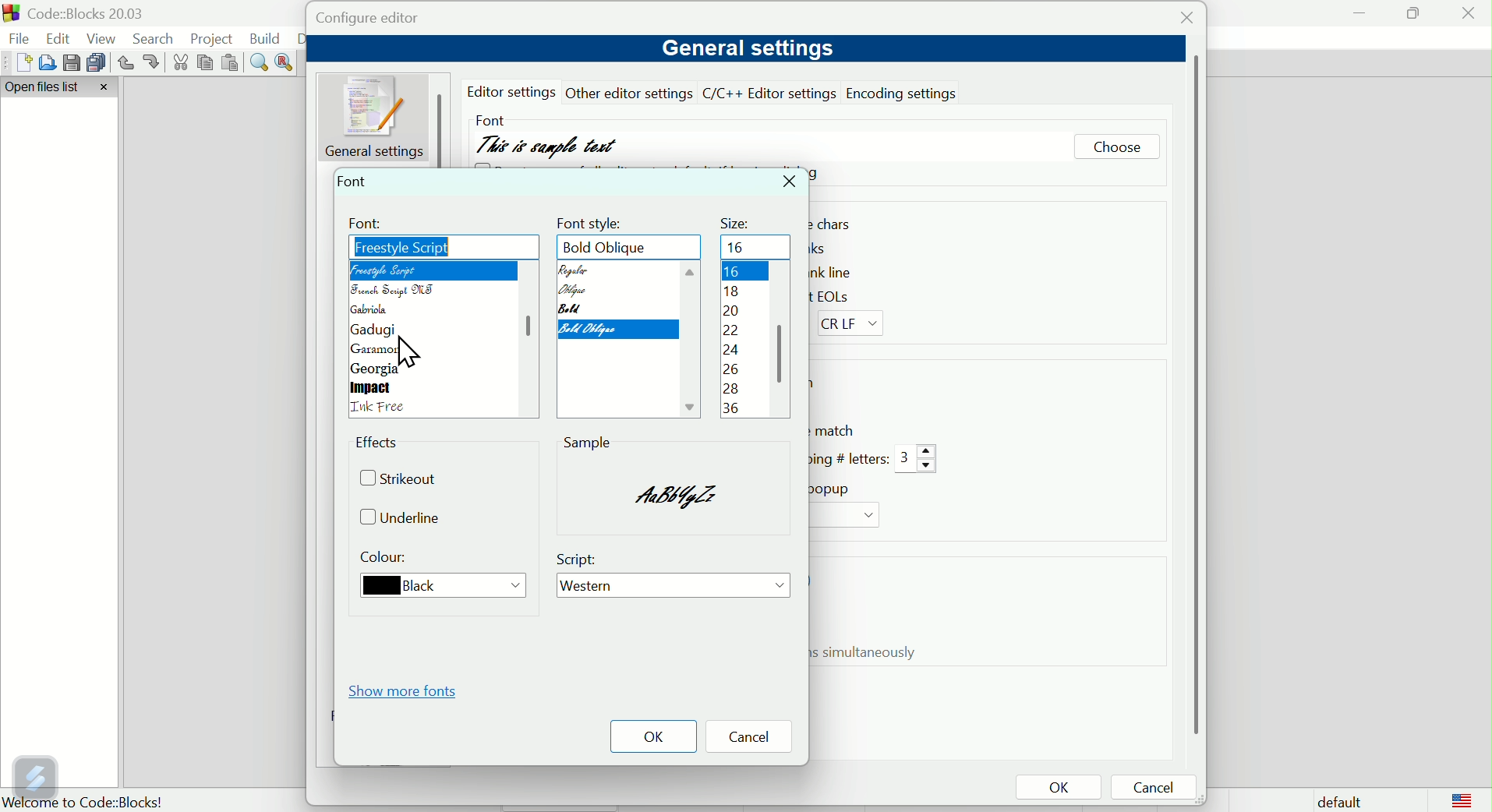 The height and width of the screenshot is (812, 1492). I want to click on sample, so click(687, 493).